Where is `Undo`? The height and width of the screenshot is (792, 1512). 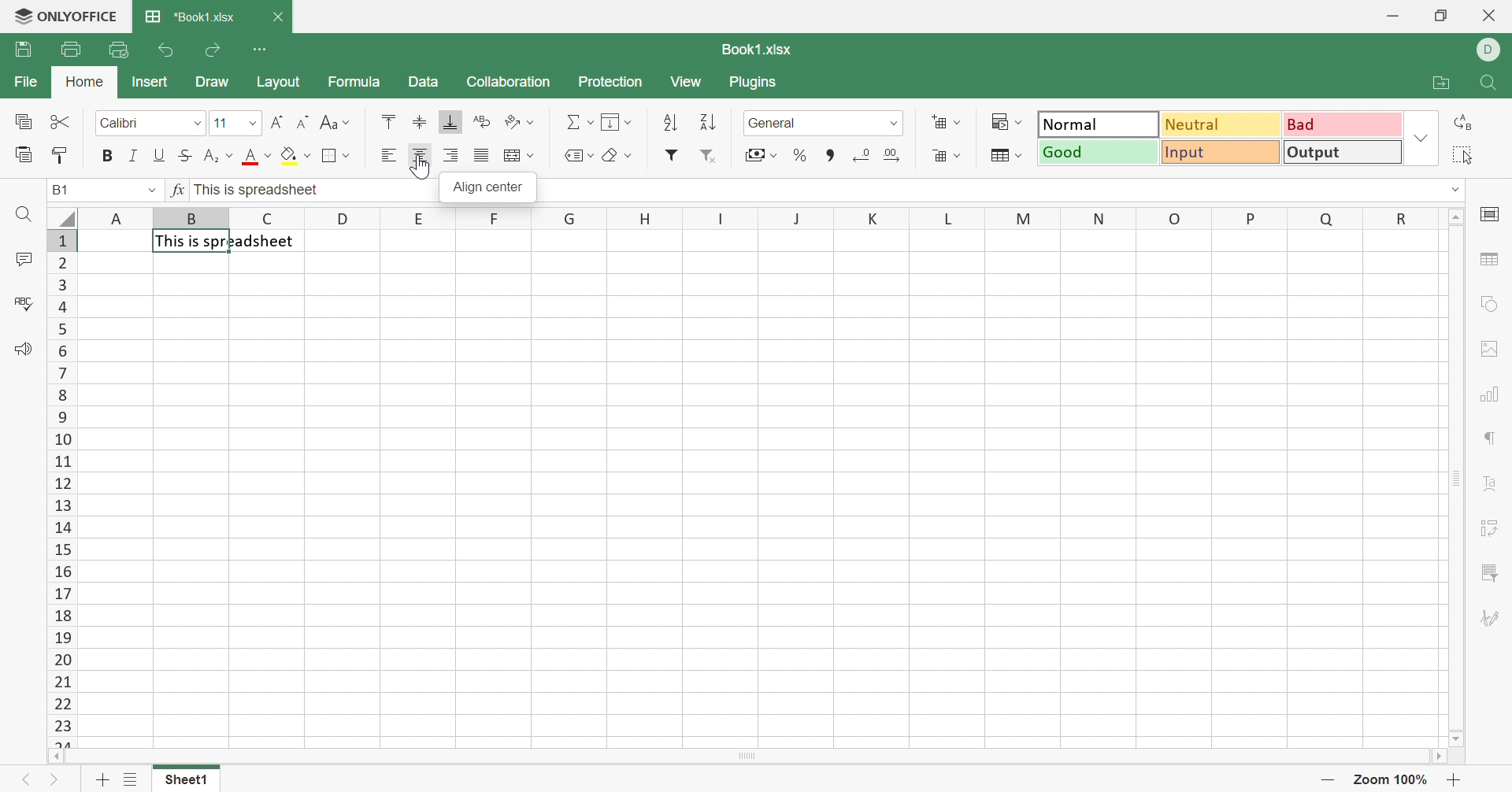 Undo is located at coordinates (168, 50).